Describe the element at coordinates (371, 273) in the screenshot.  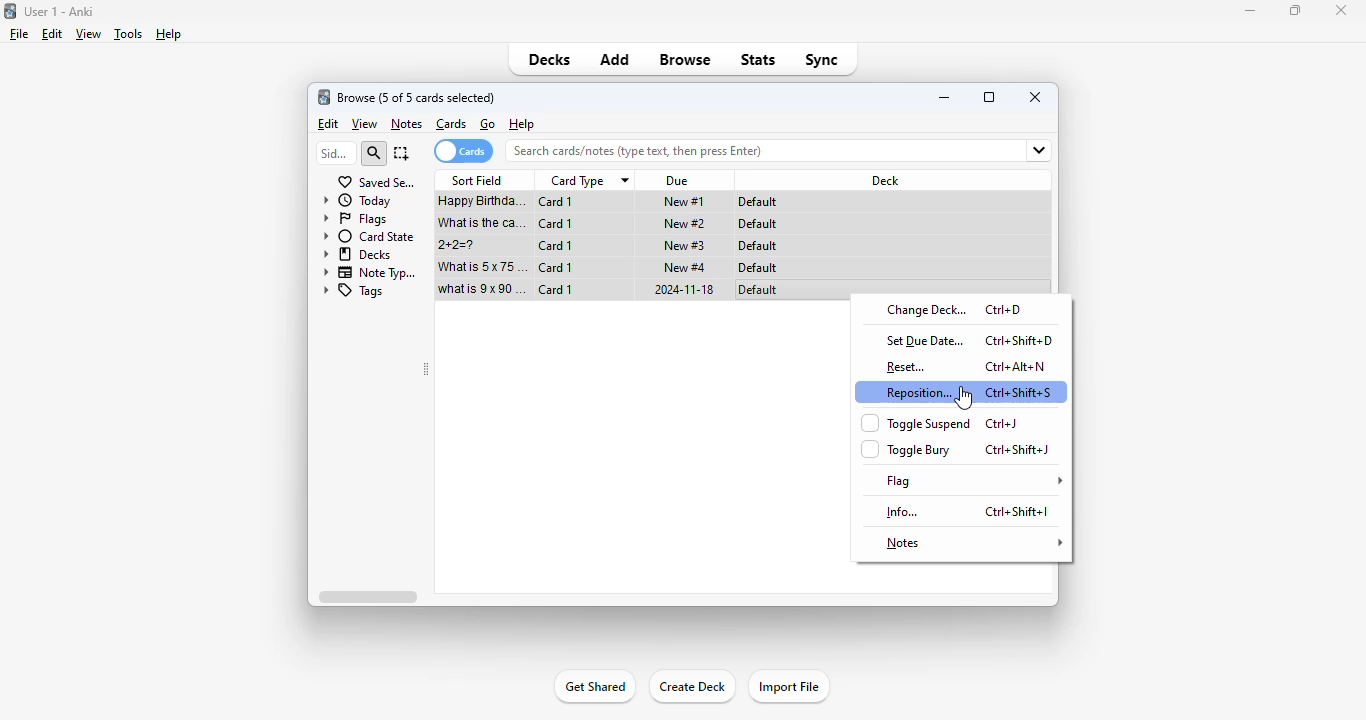
I see `note types` at that location.